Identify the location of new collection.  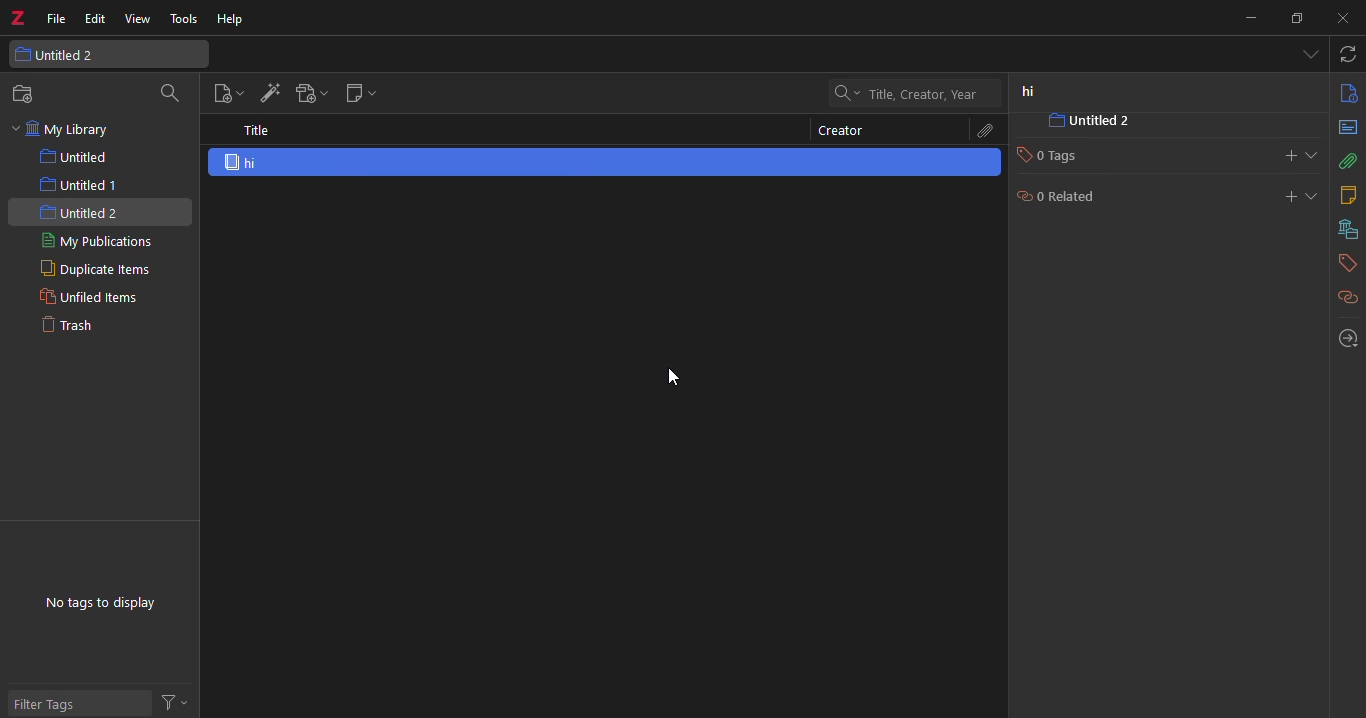
(25, 94).